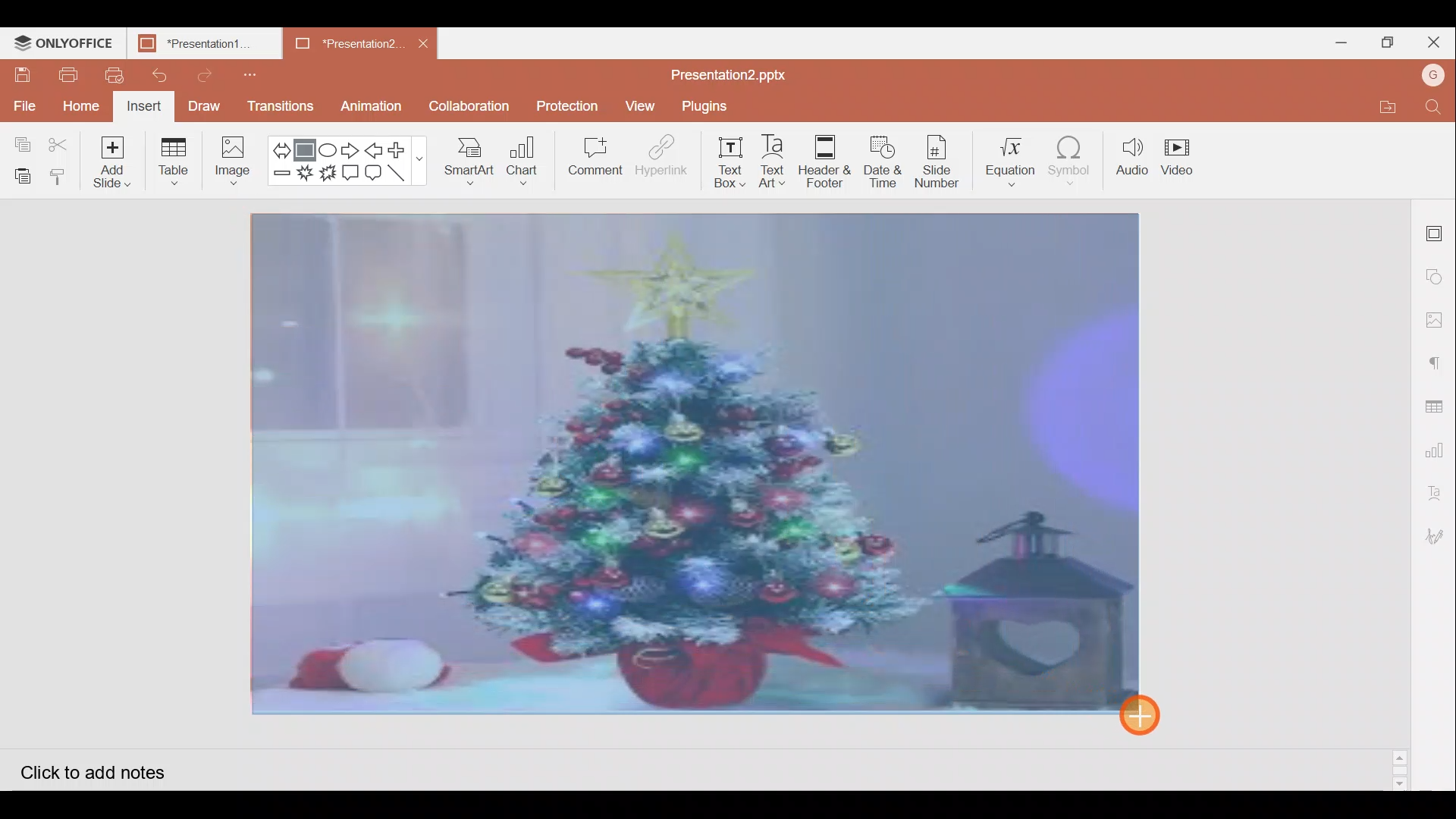  I want to click on Home, so click(82, 105).